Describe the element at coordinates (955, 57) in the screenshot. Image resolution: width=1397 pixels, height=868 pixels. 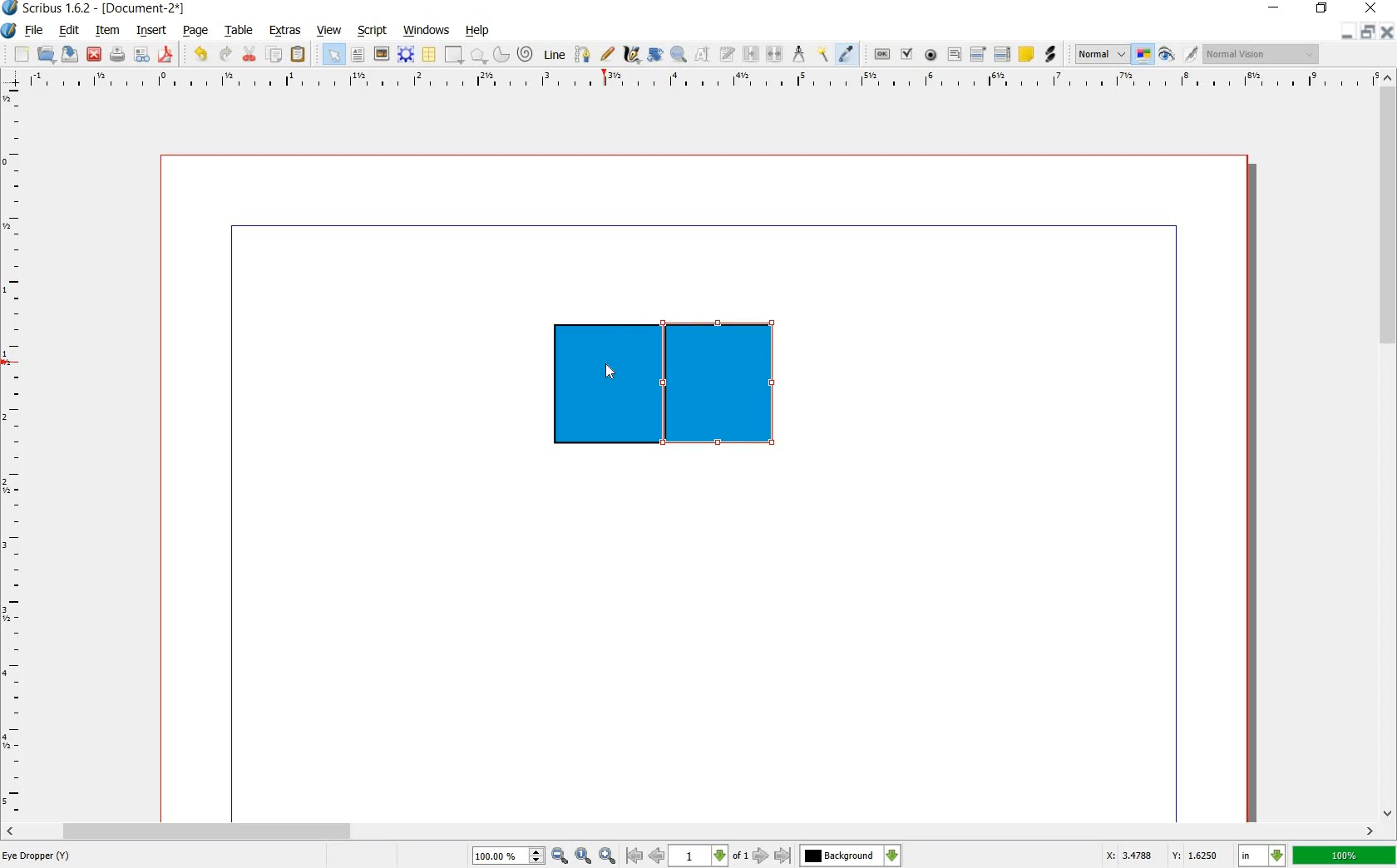
I see `pdf text field` at that location.